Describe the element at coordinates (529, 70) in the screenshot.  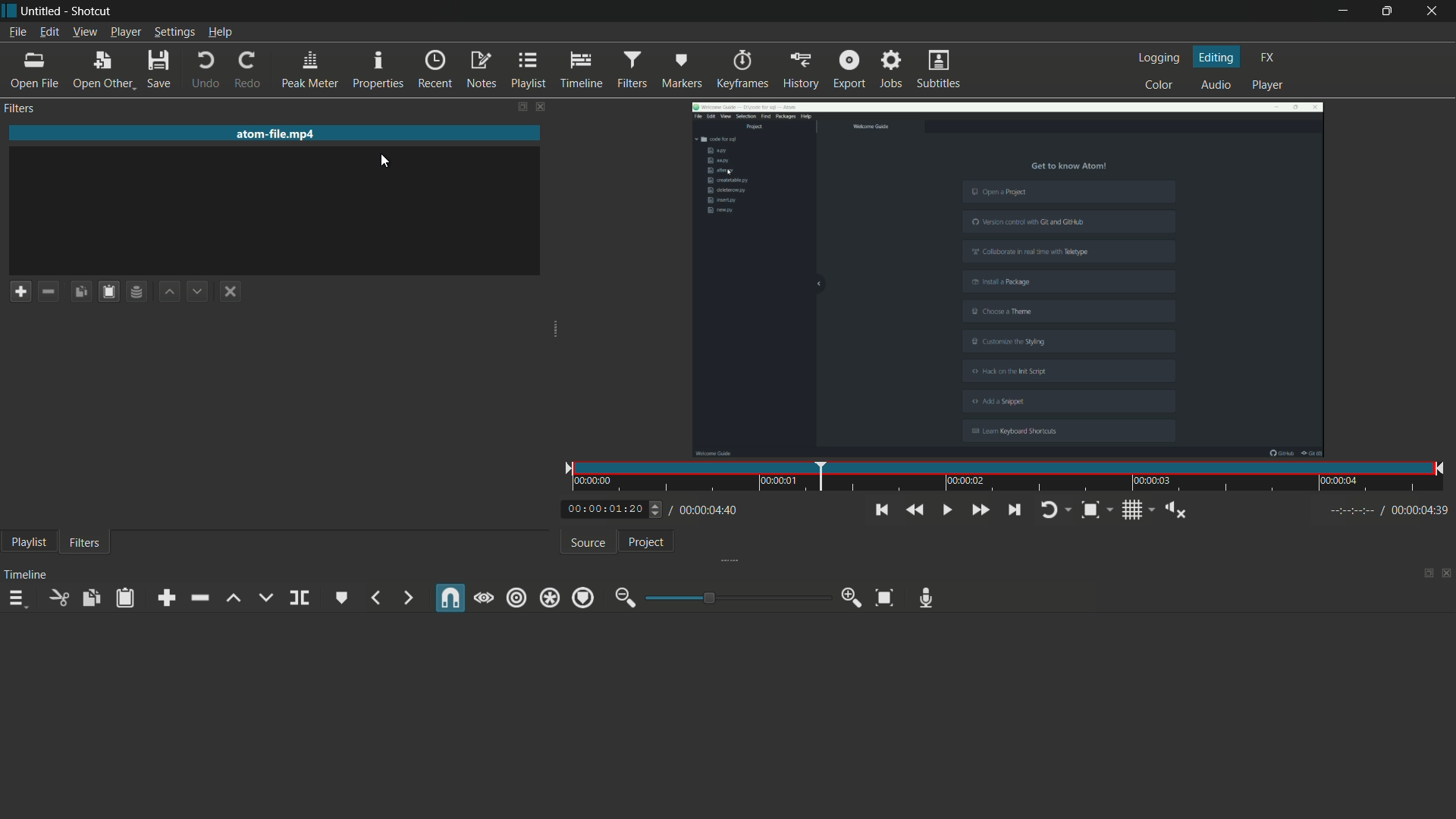
I see `playlist` at that location.